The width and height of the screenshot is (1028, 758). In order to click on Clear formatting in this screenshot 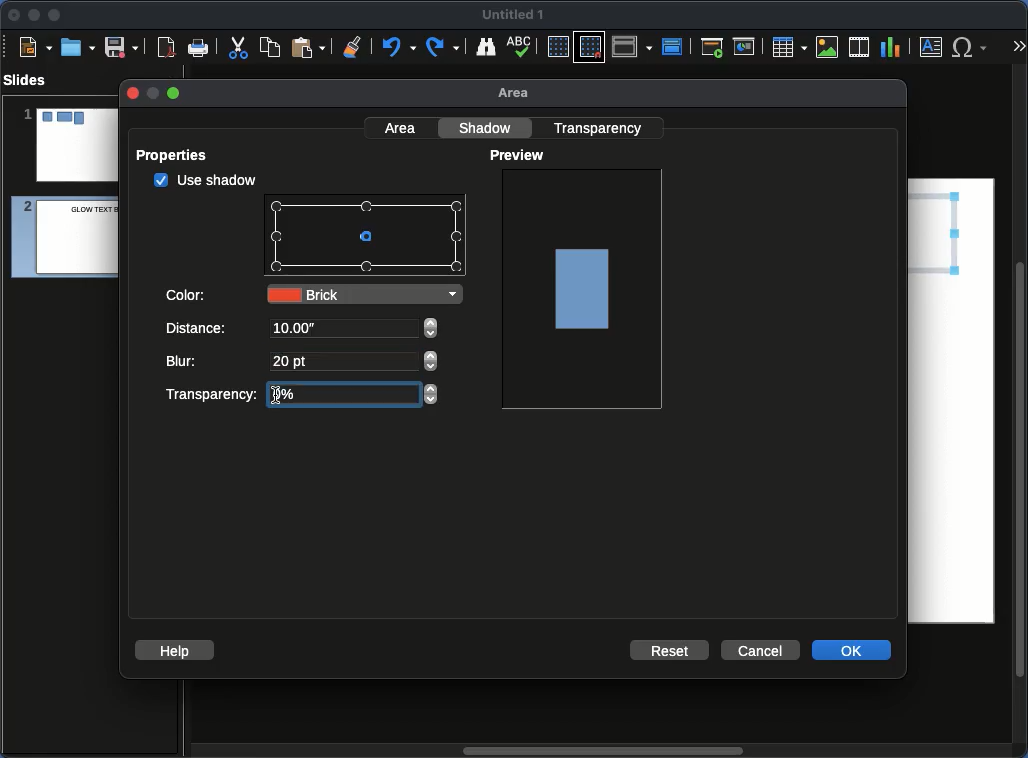, I will do `click(353, 45)`.